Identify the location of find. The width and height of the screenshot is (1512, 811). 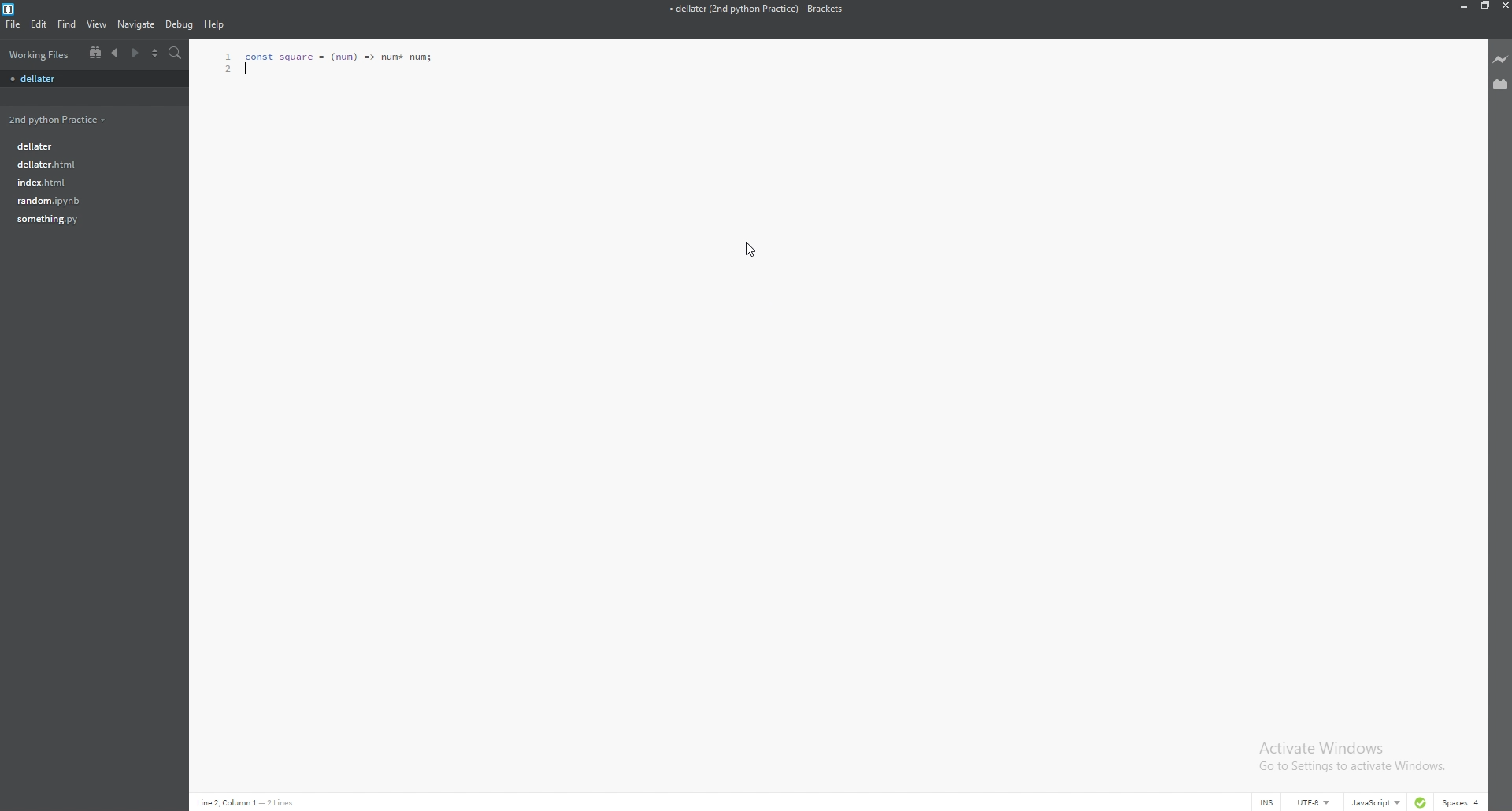
(66, 24).